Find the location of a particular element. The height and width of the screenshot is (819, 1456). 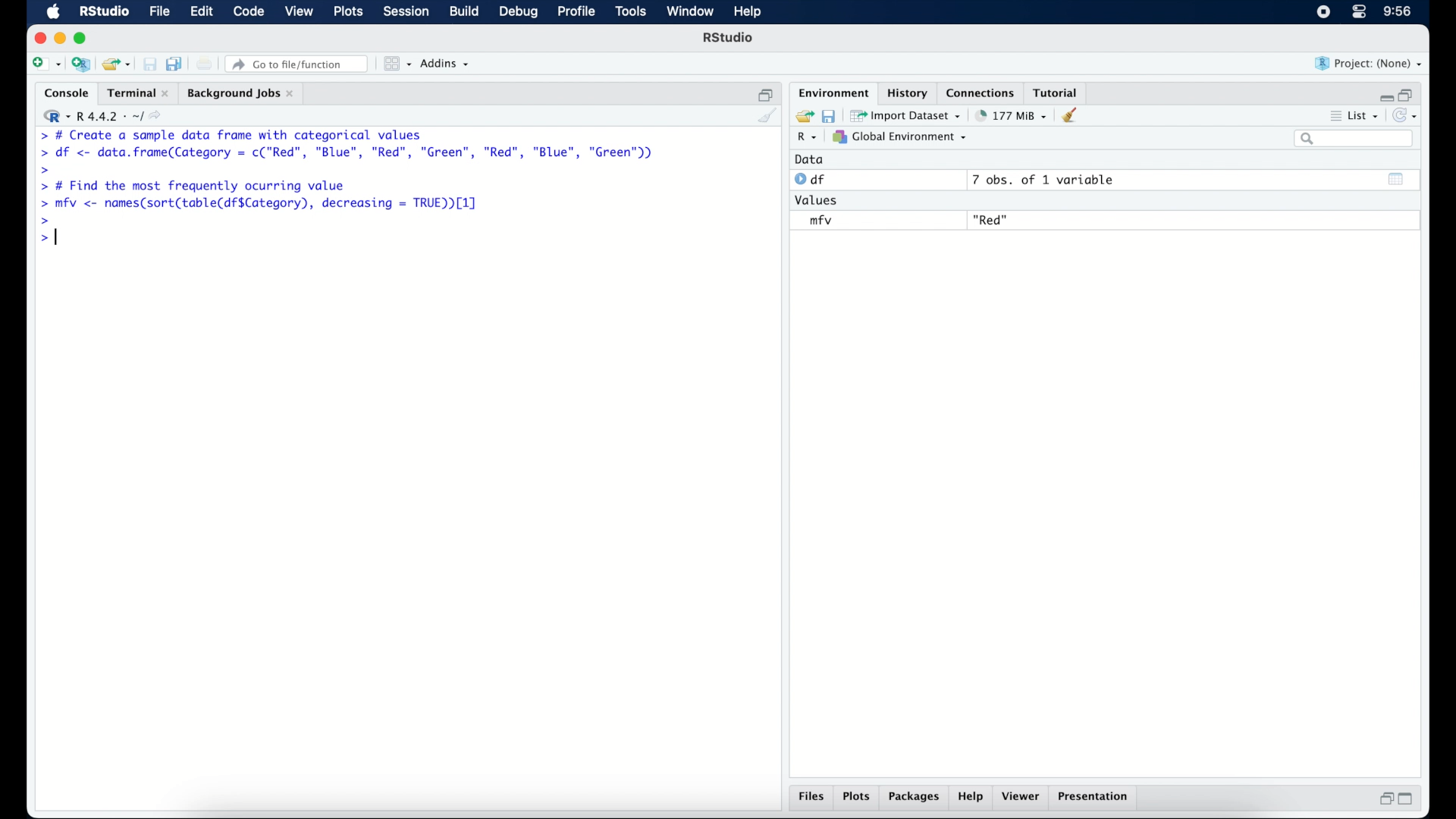

create a project is located at coordinates (82, 64).